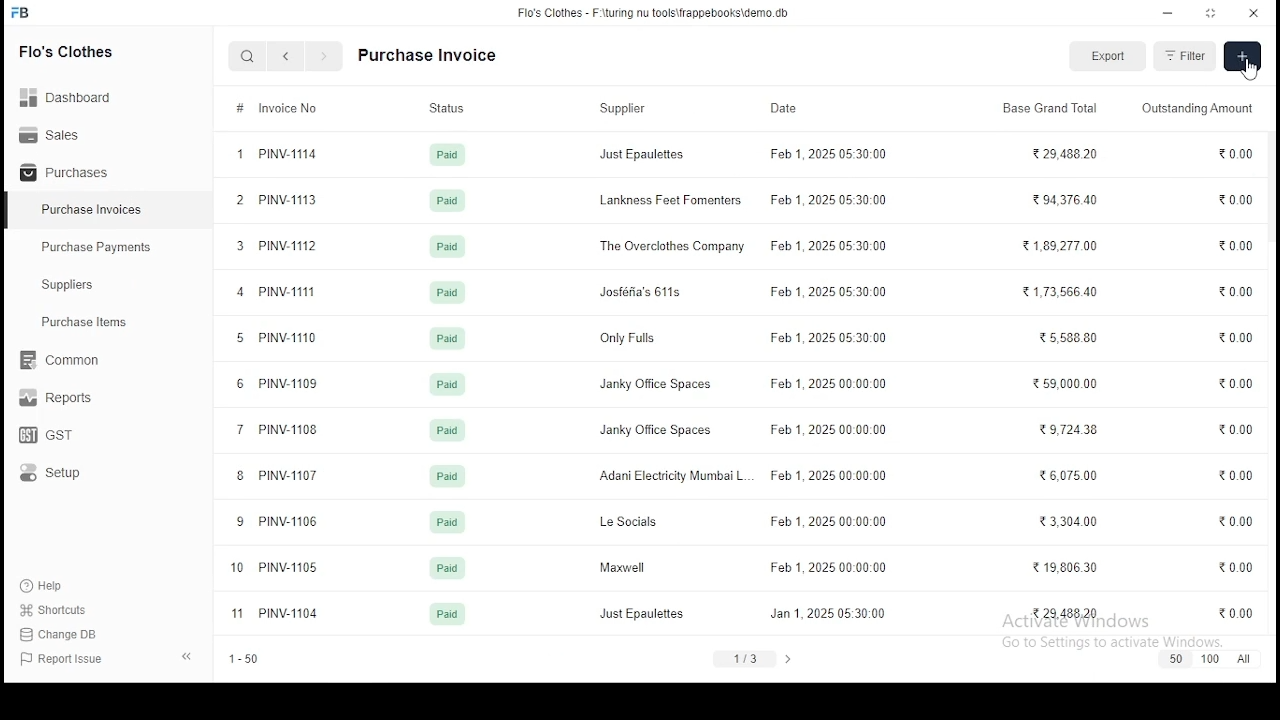  I want to click on 1-50, so click(244, 661).